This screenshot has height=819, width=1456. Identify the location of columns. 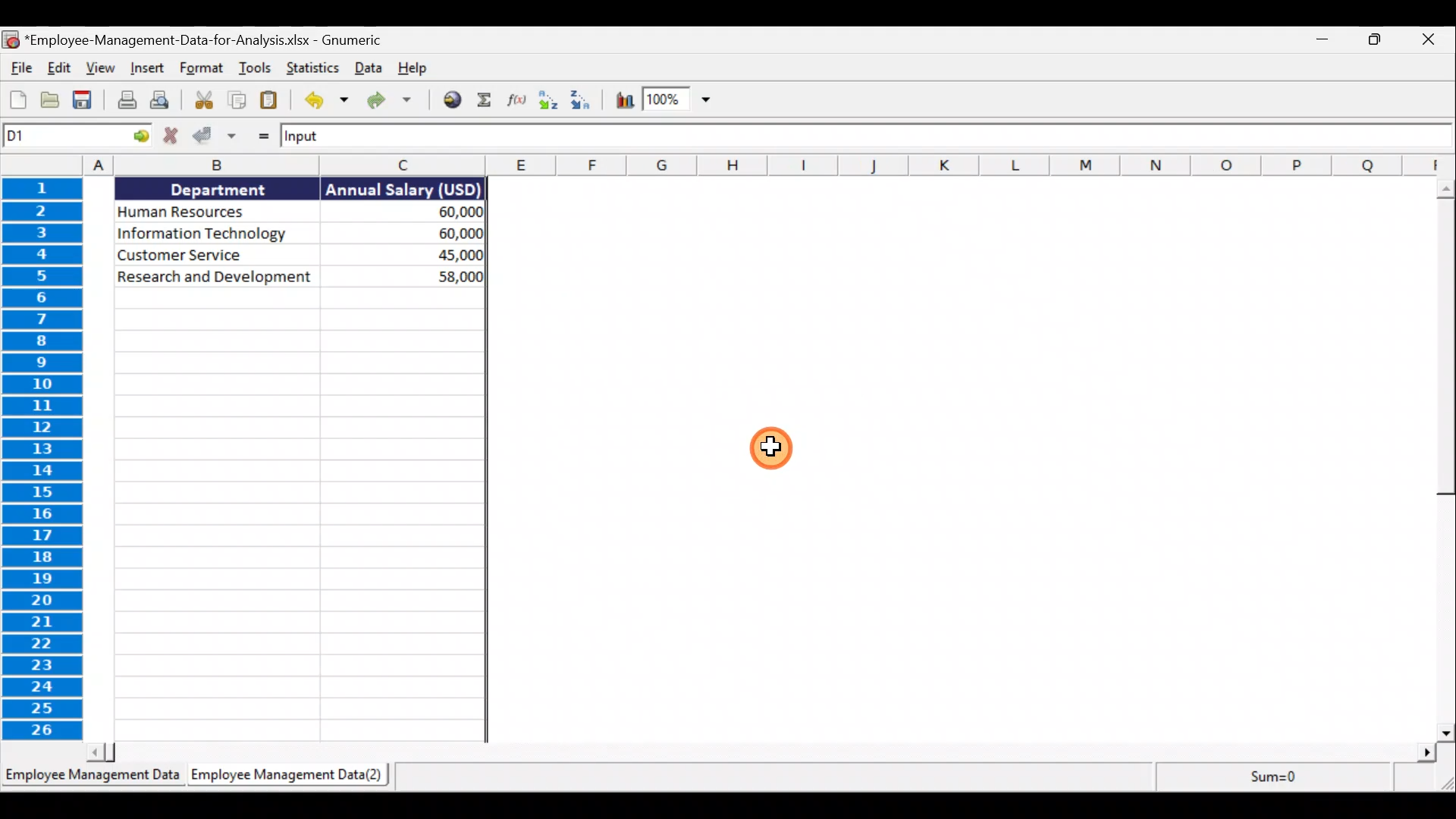
(727, 163).